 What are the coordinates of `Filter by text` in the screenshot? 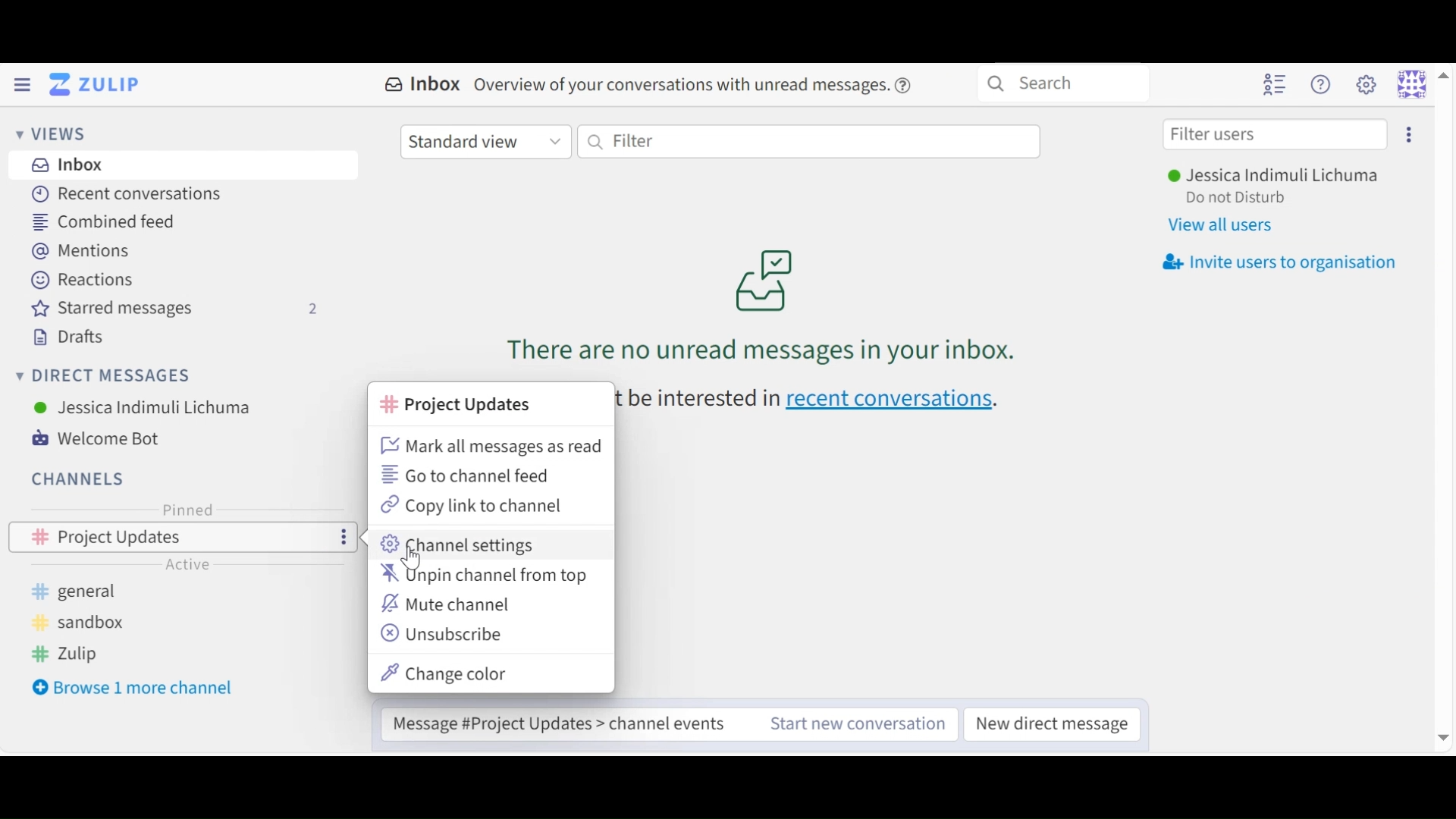 It's located at (811, 142).